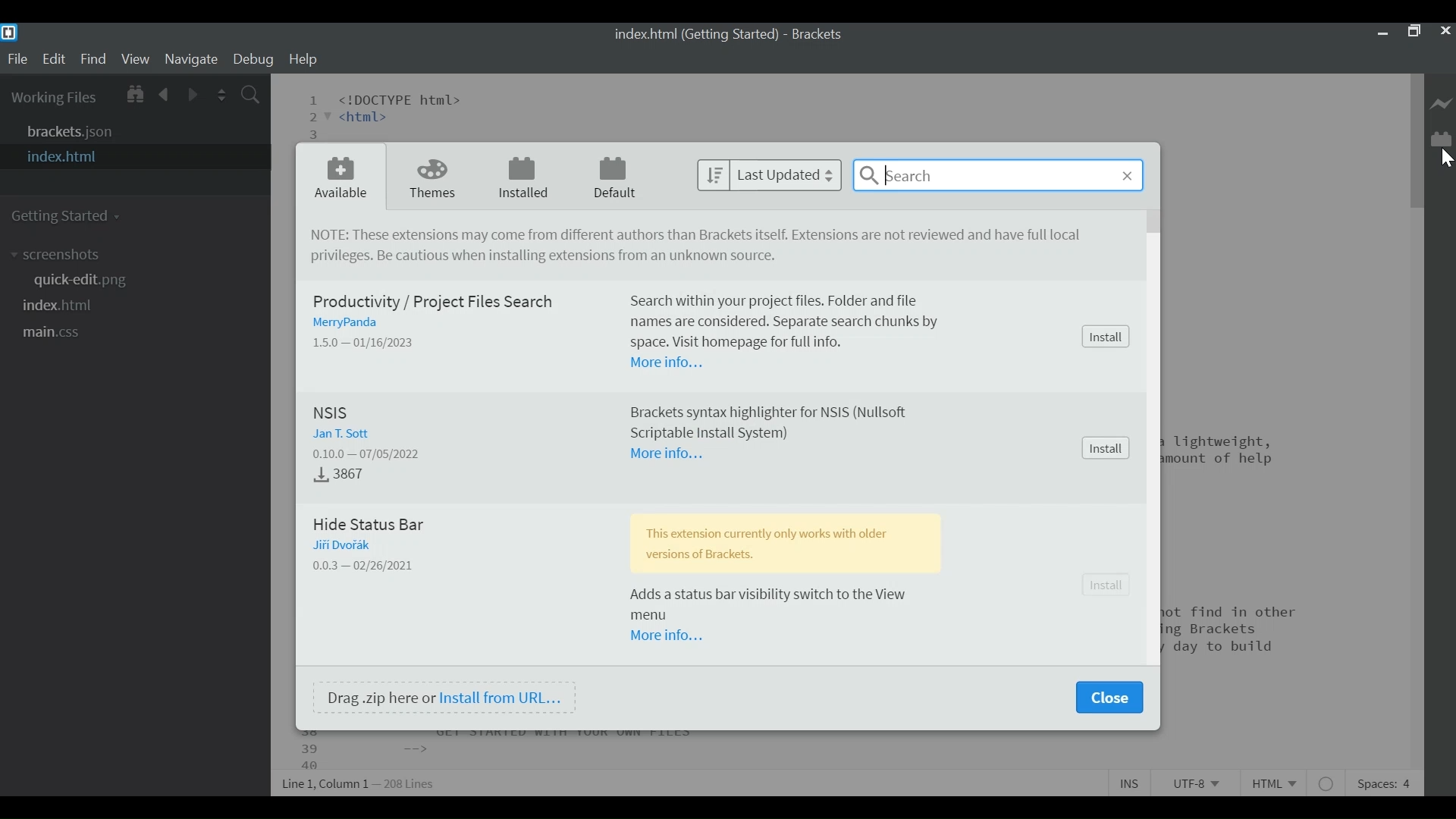 This screenshot has width=1456, height=819. What do you see at coordinates (1445, 33) in the screenshot?
I see `Close` at bounding box center [1445, 33].